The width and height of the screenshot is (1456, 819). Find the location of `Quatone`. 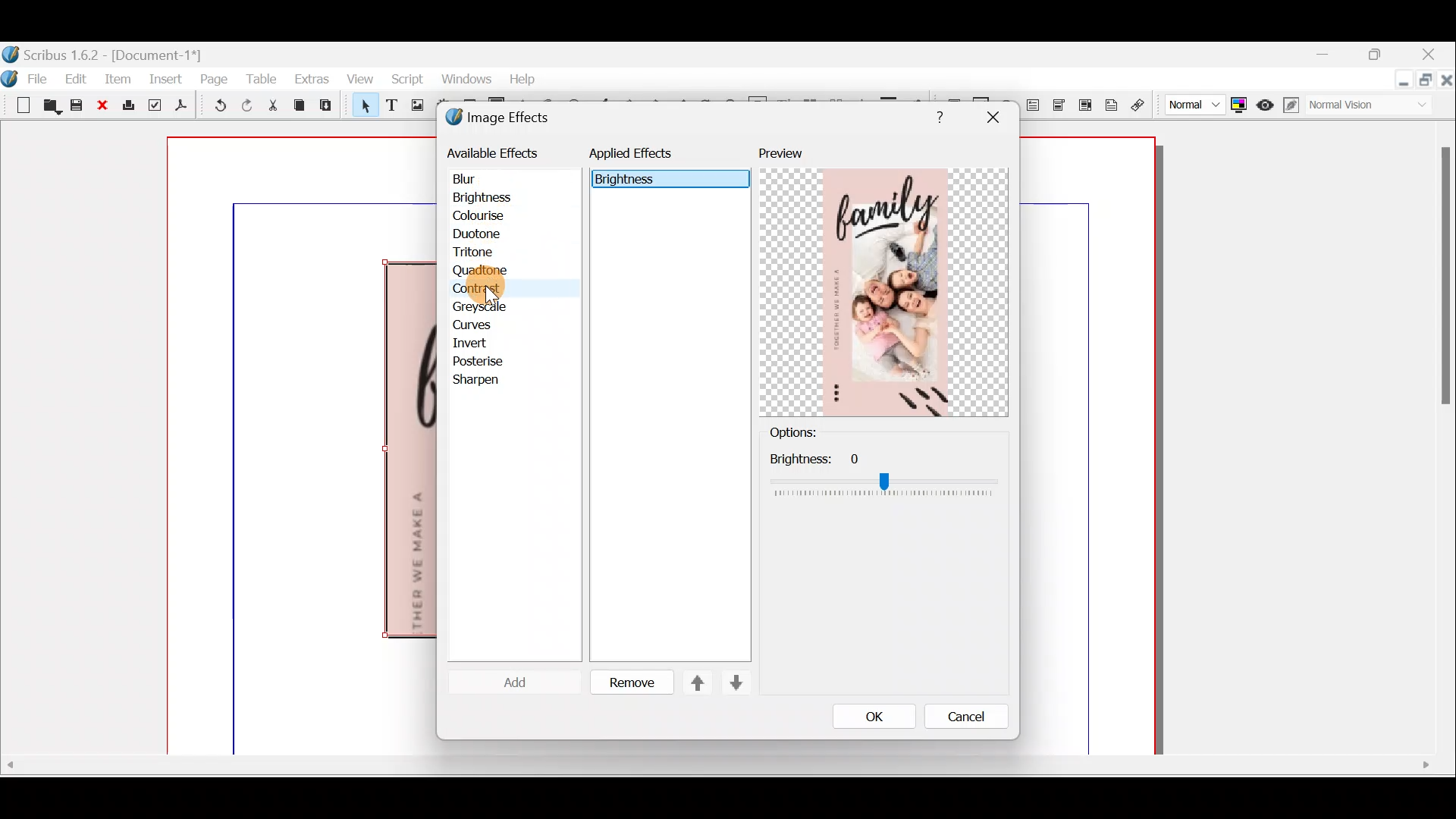

Quatone is located at coordinates (480, 272).